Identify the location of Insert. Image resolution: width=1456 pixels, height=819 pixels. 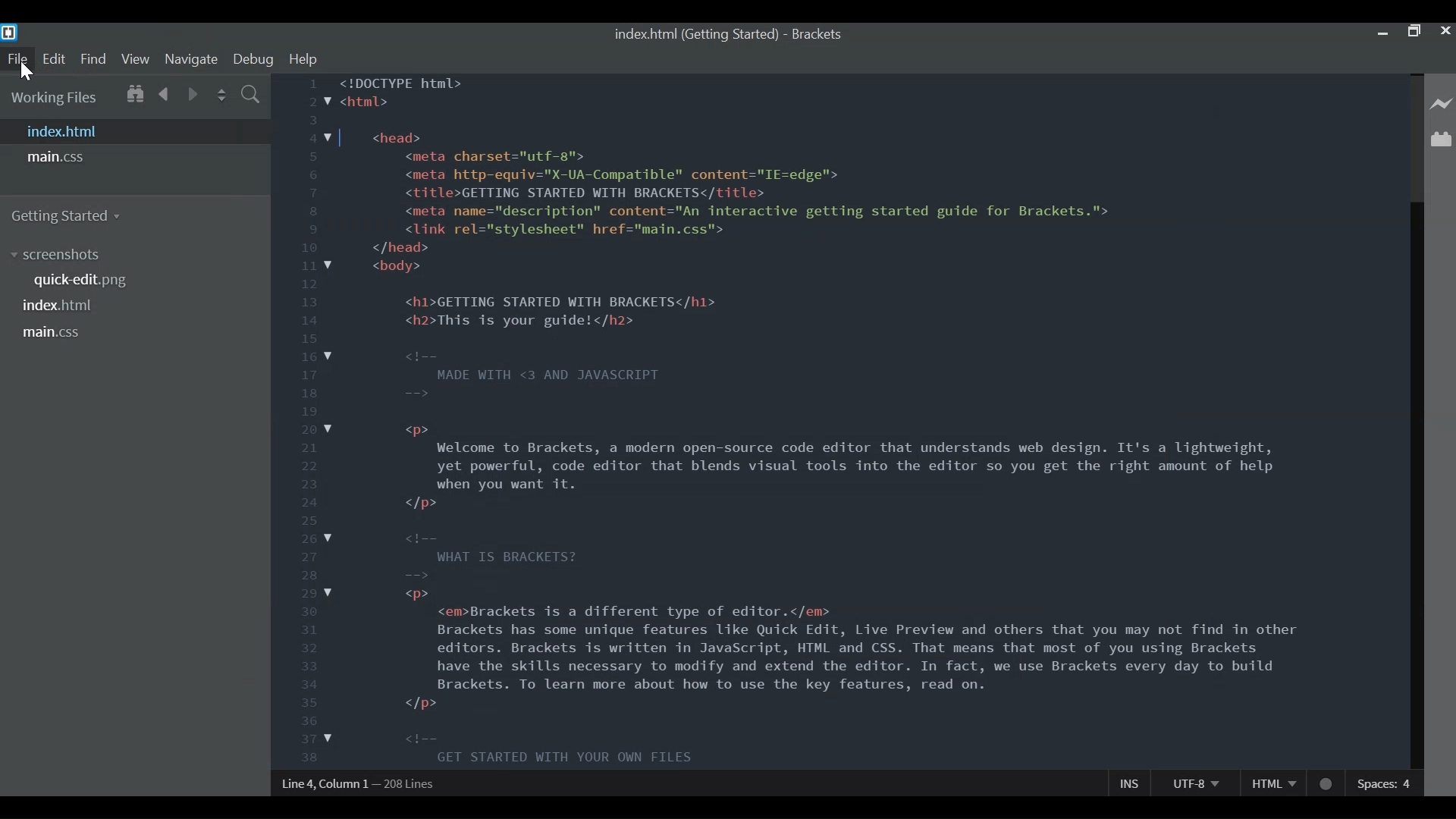
(1131, 783).